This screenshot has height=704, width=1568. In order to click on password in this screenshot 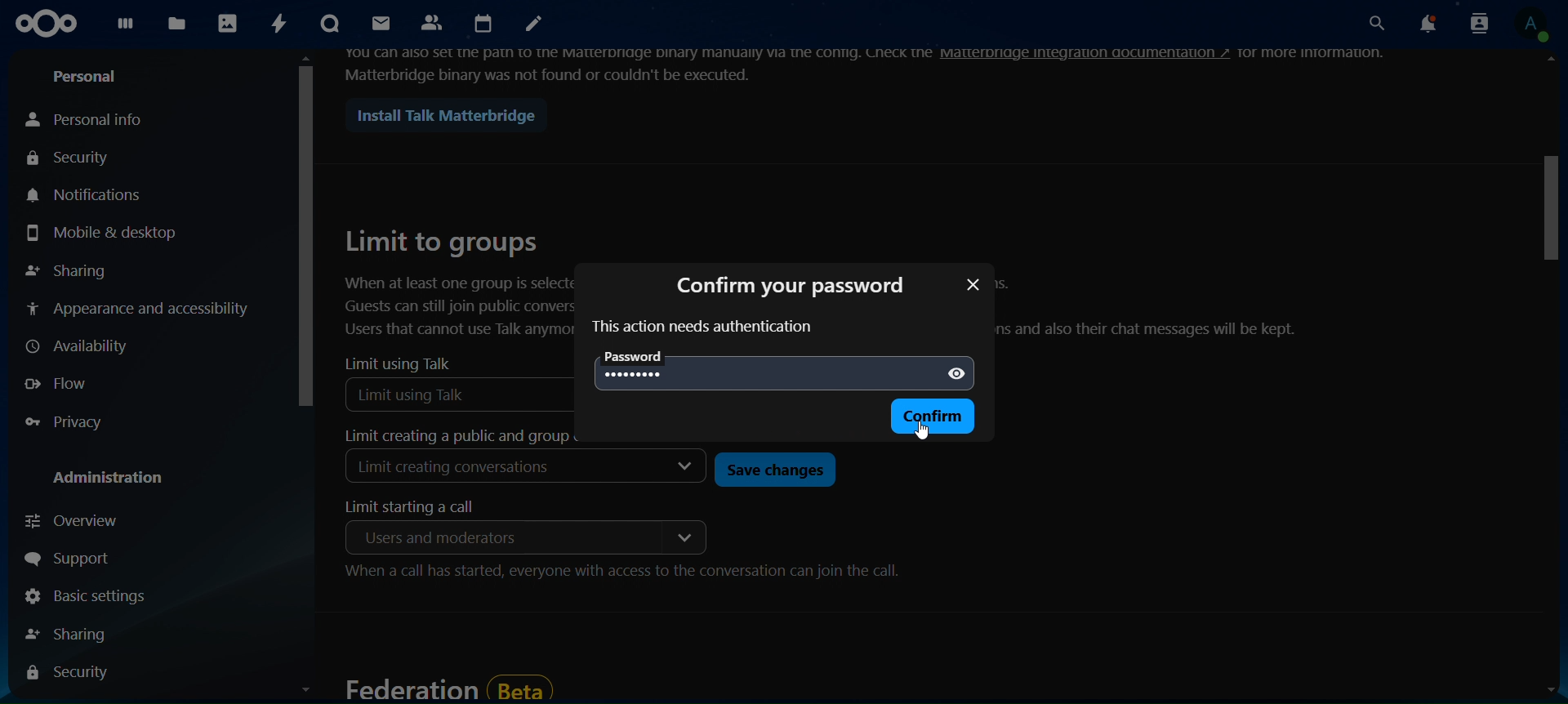, I will do `click(651, 357)`.